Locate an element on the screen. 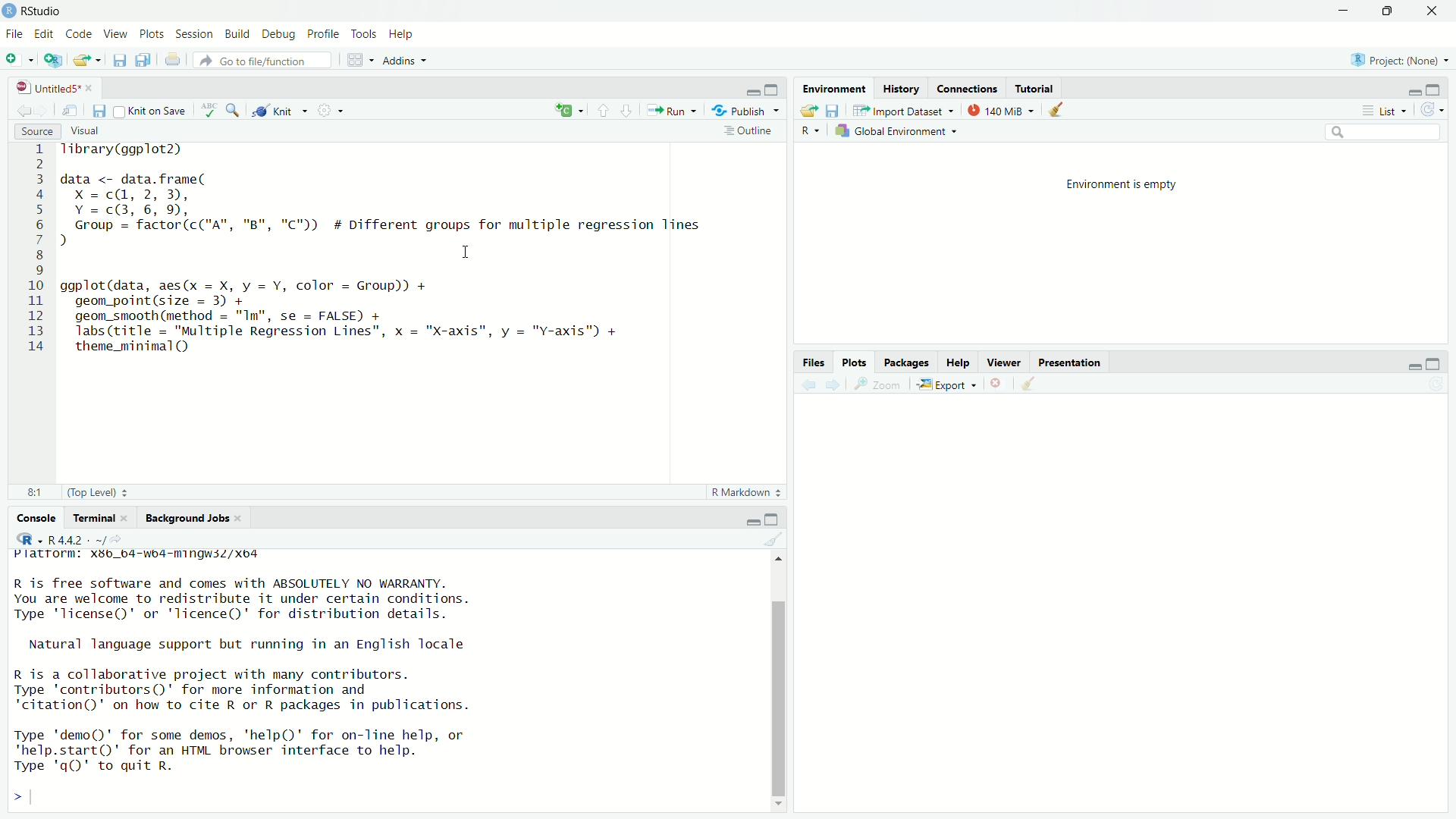  minimise is located at coordinates (1343, 9).